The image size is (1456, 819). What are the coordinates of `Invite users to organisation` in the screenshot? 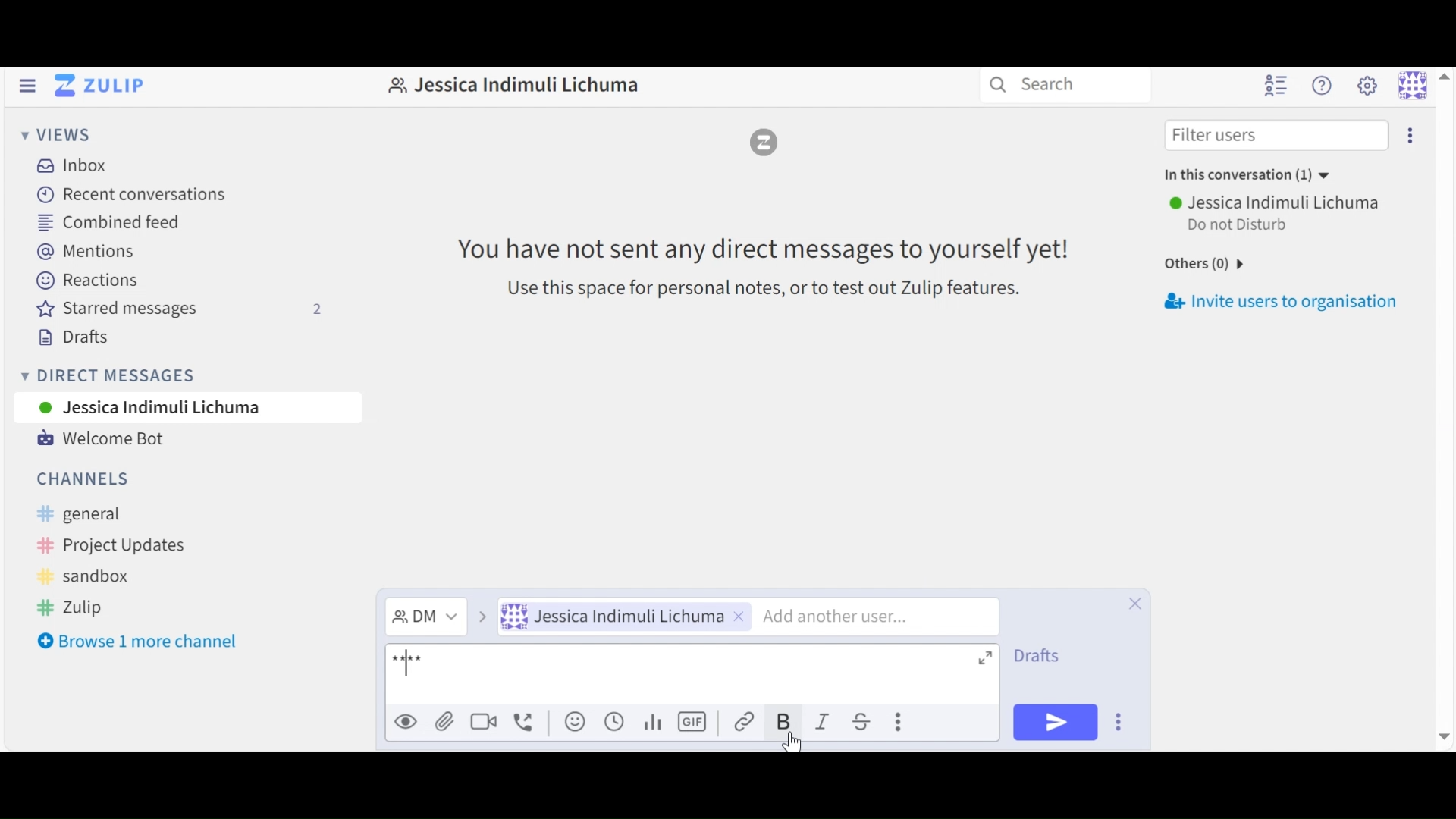 It's located at (1288, 305).